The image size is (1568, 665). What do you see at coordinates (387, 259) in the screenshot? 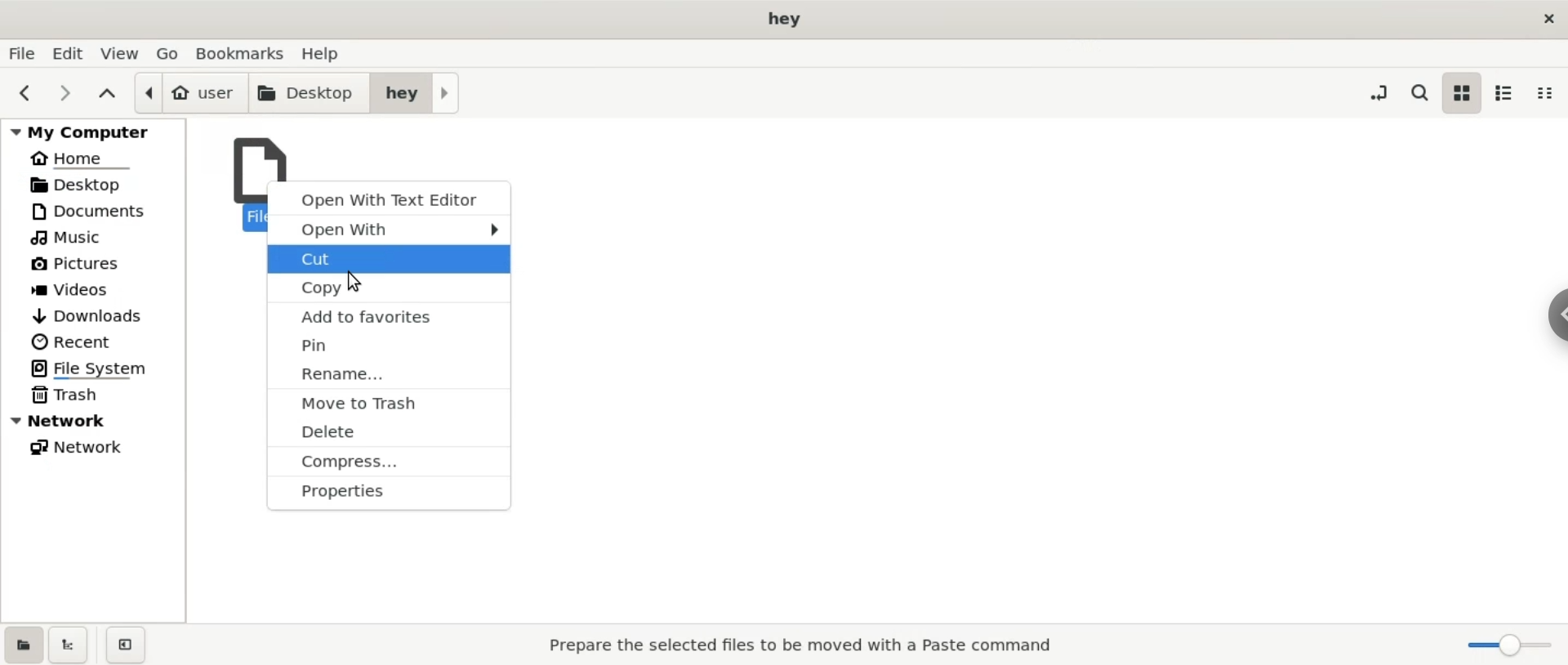
I see `cut` at bounding box center [387, 259].